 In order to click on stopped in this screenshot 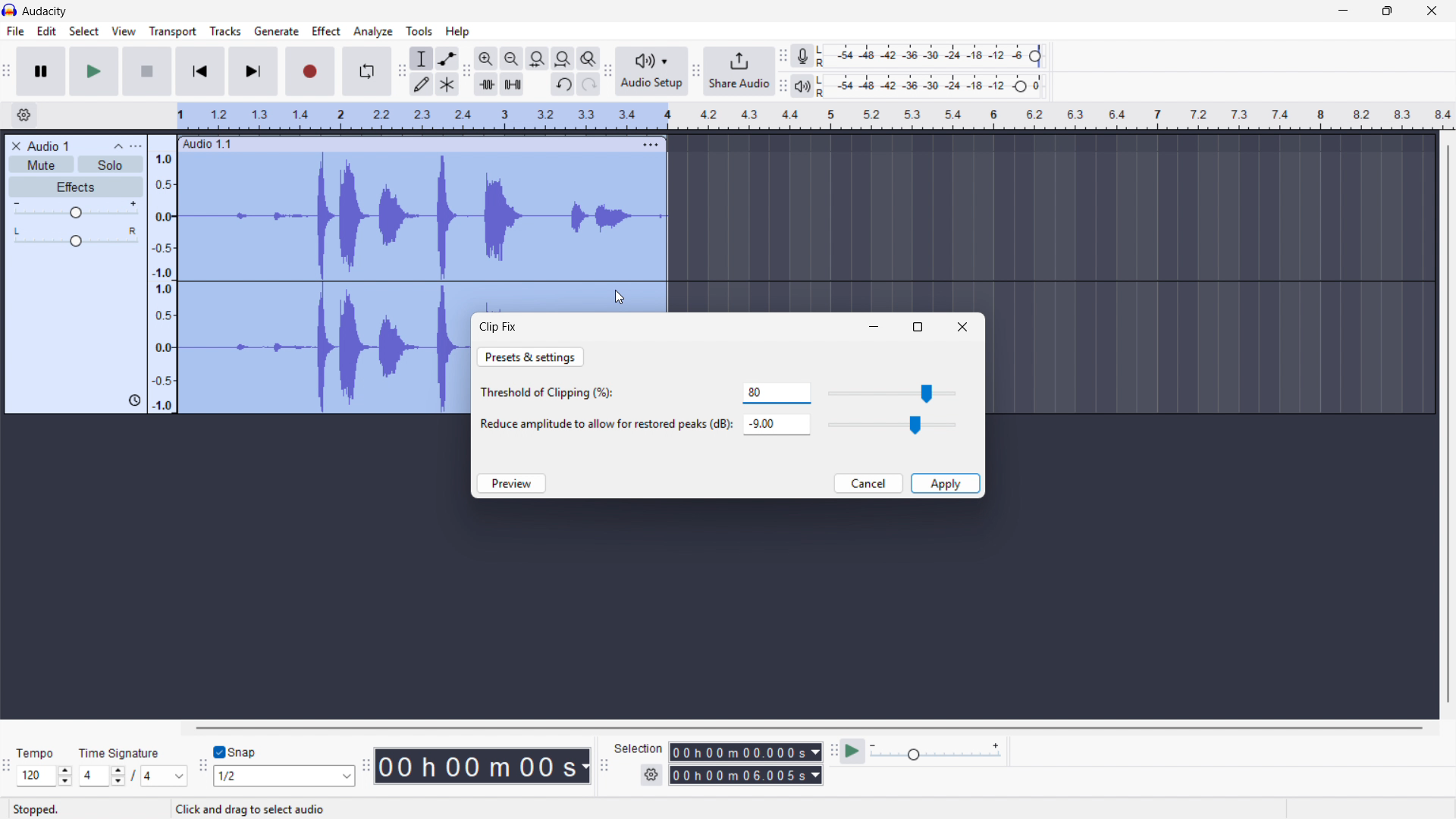, I will do `click(39, 808)`.